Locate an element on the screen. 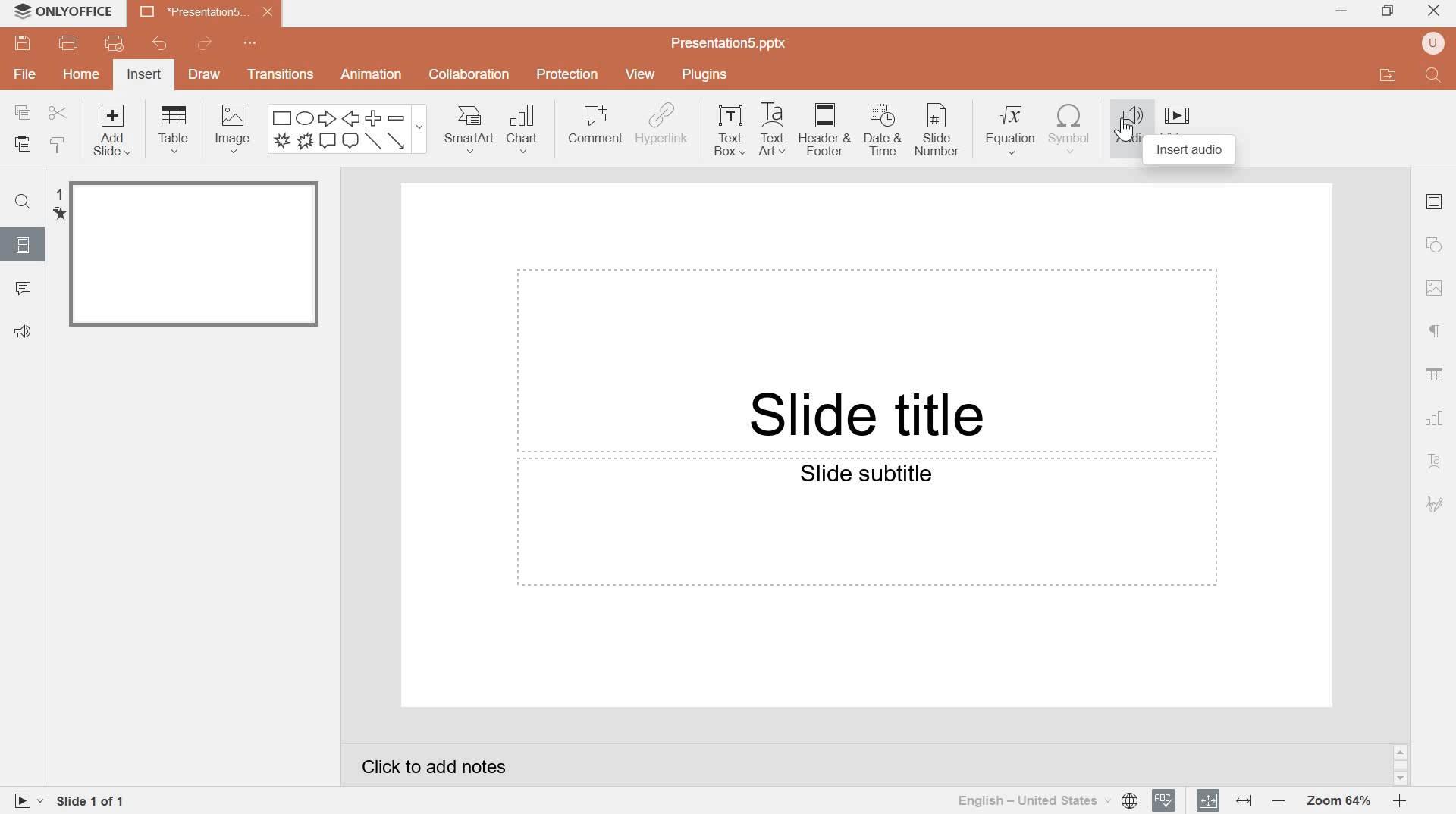 Image resolution: width=1456 pixels, height=814 pixels. Feedback & support is located at coordinates (24, 333).